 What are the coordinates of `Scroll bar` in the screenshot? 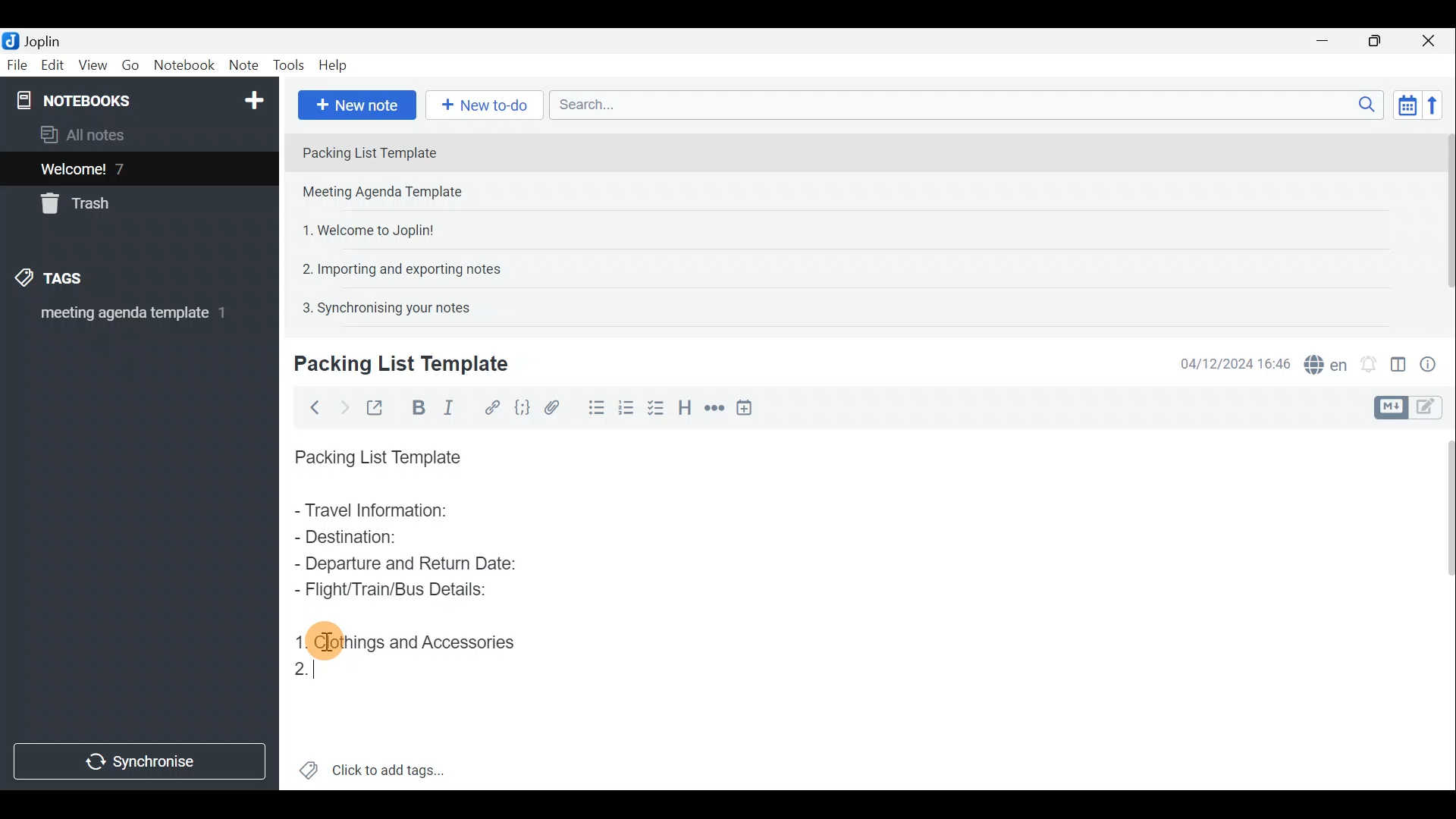 It's located at (1442, 221).